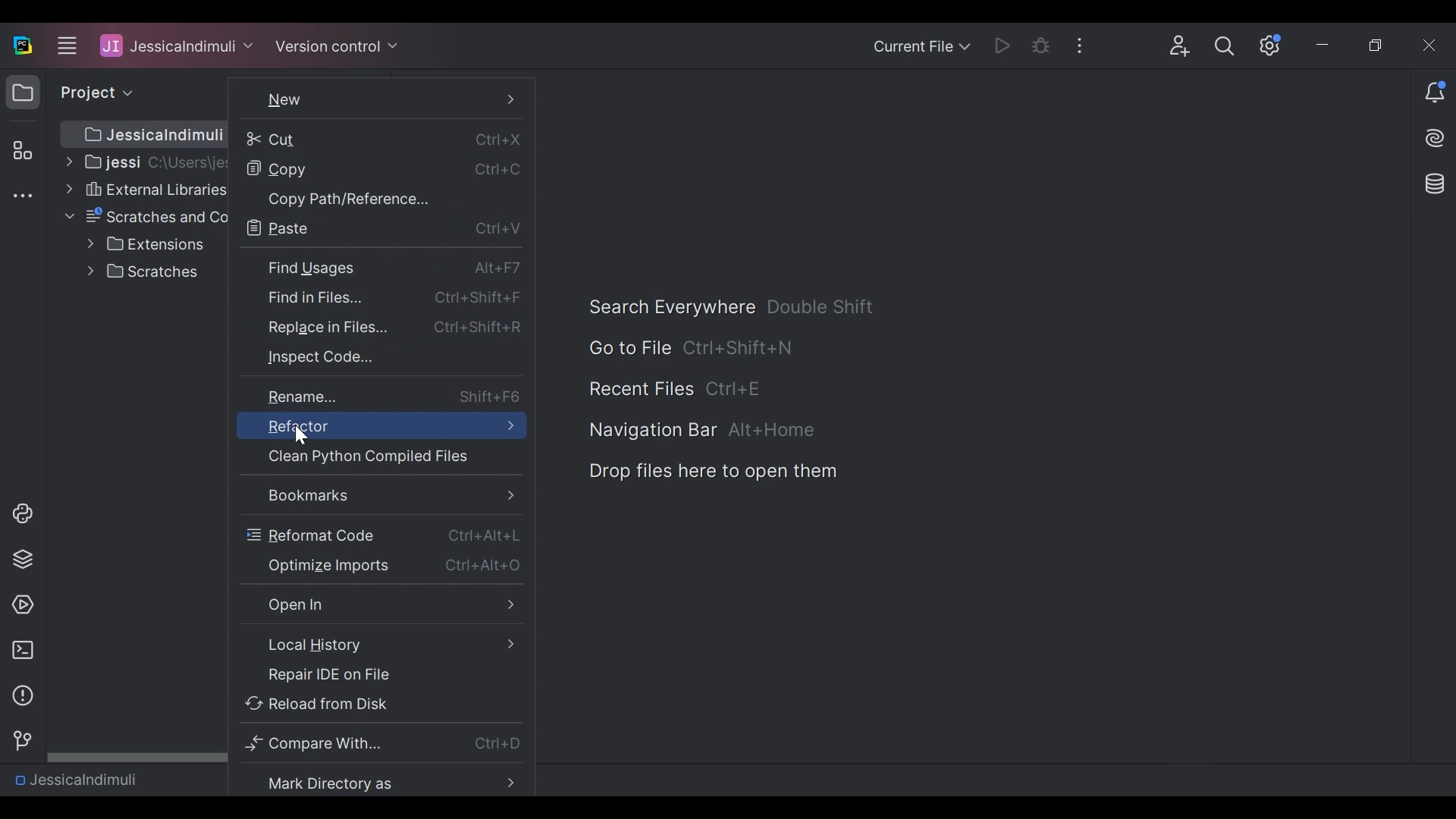  What do you see at coordinates (1326, 47) in the screenshot?
I see `Minimize` at bounding box center [1326, 47].